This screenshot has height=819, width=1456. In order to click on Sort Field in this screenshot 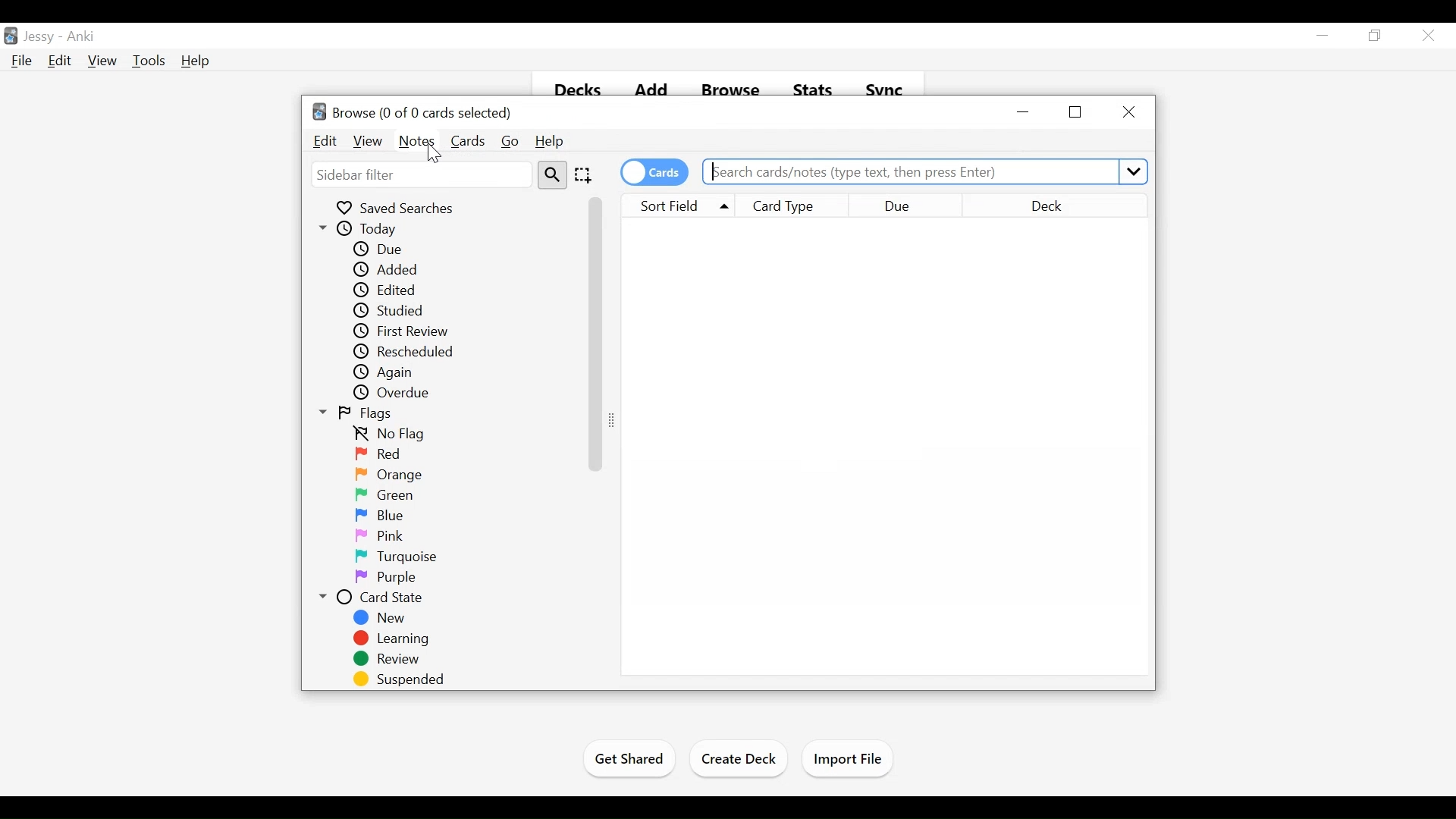, I will do `click(677, 205)`.